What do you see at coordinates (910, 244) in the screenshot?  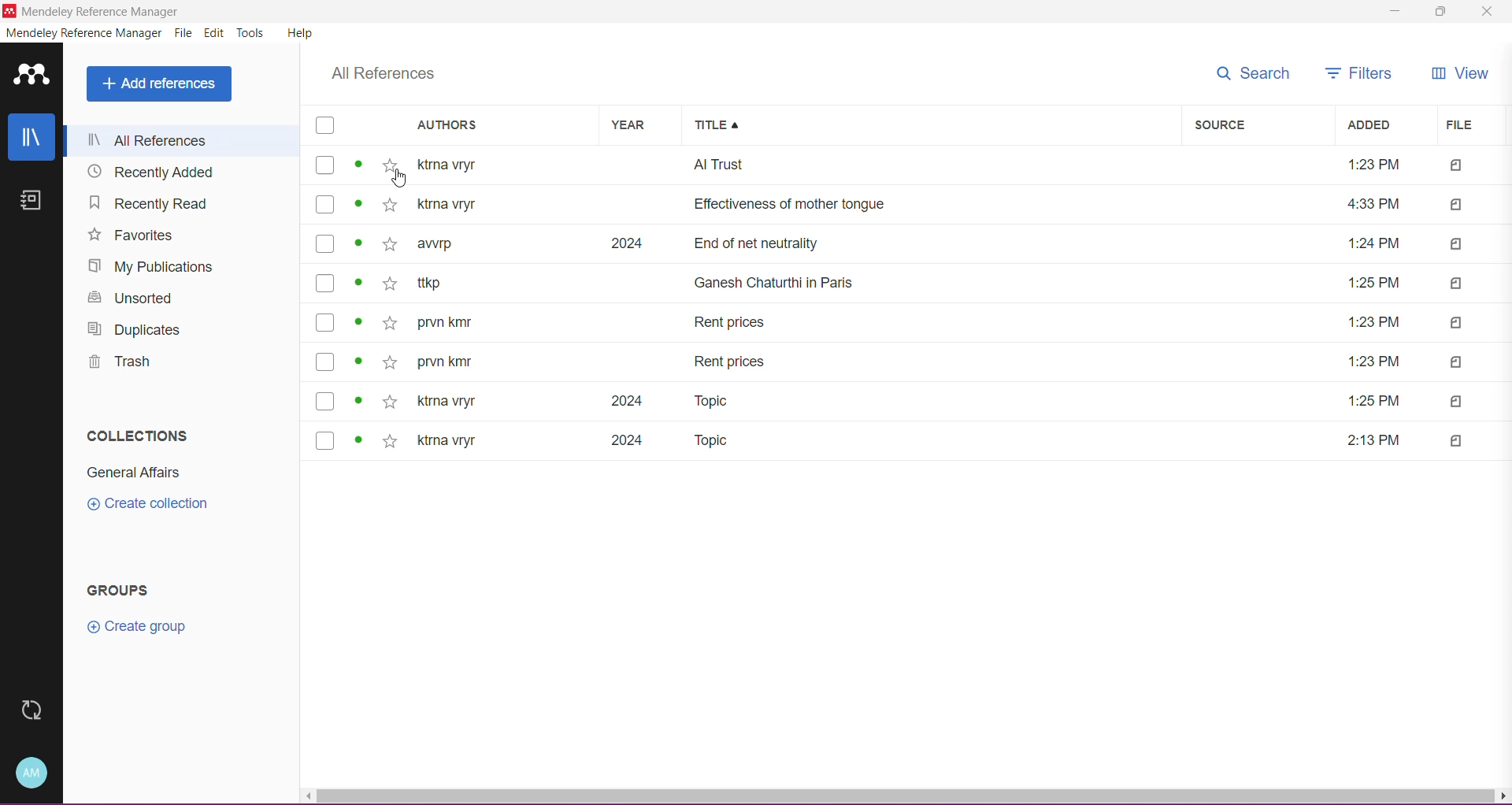 I see `awrp 2024 End of net neutrality 1:24 PM` at bounding box center [910, 244].